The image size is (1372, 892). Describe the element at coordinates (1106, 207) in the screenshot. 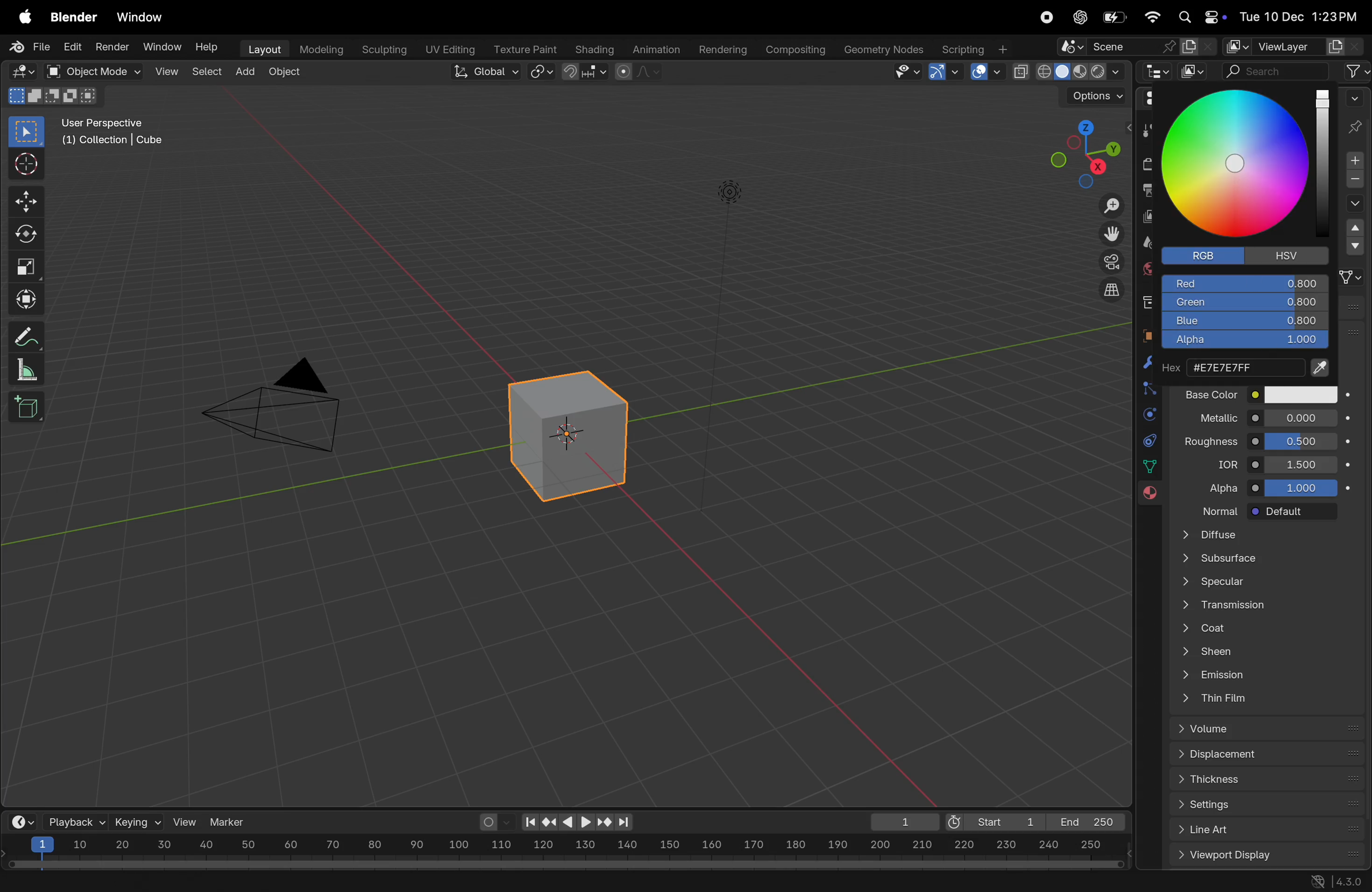

I see `zoom` at that location.